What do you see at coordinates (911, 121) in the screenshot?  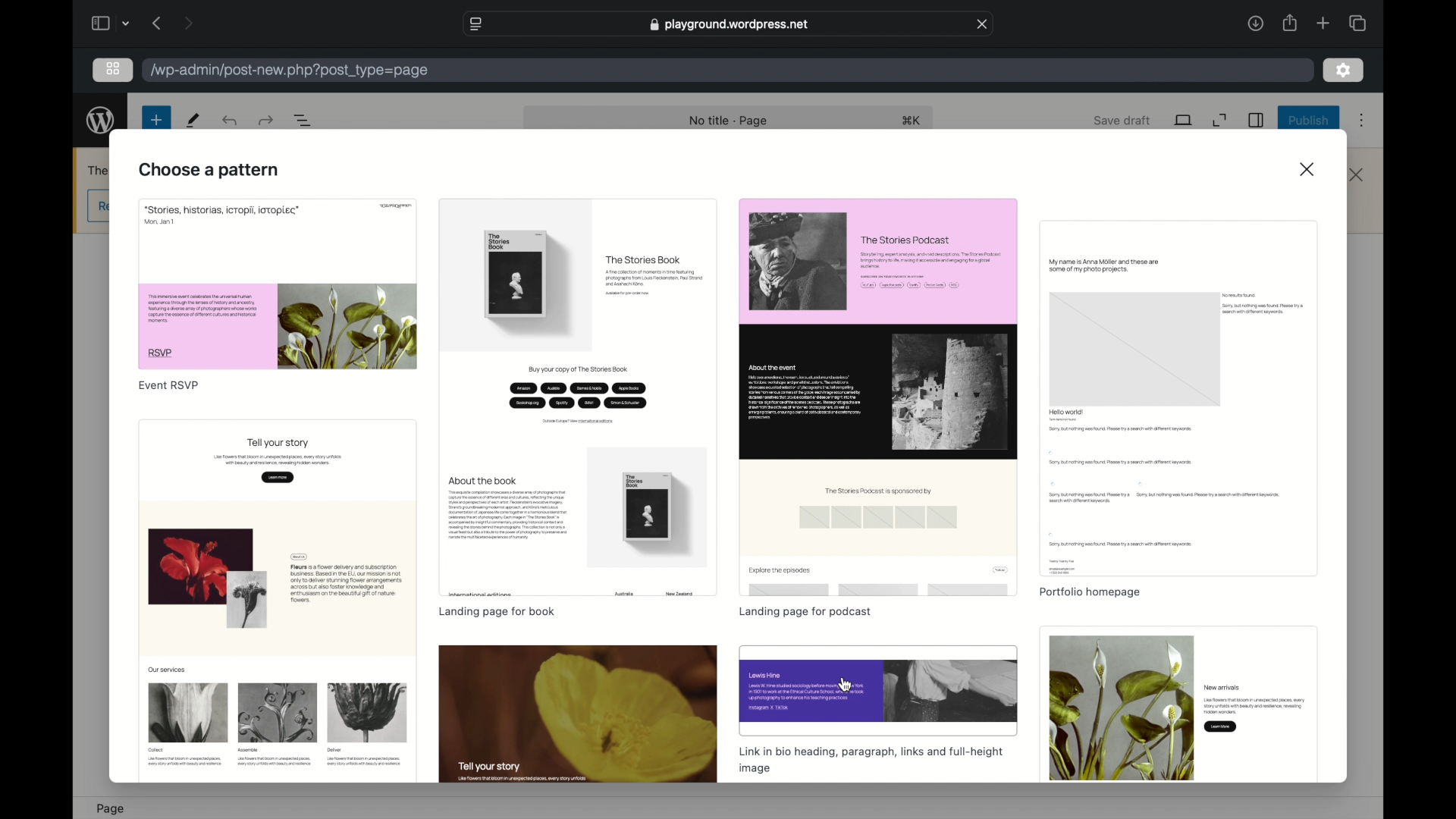 I see `shortcut` at bounding box center [911, 121].